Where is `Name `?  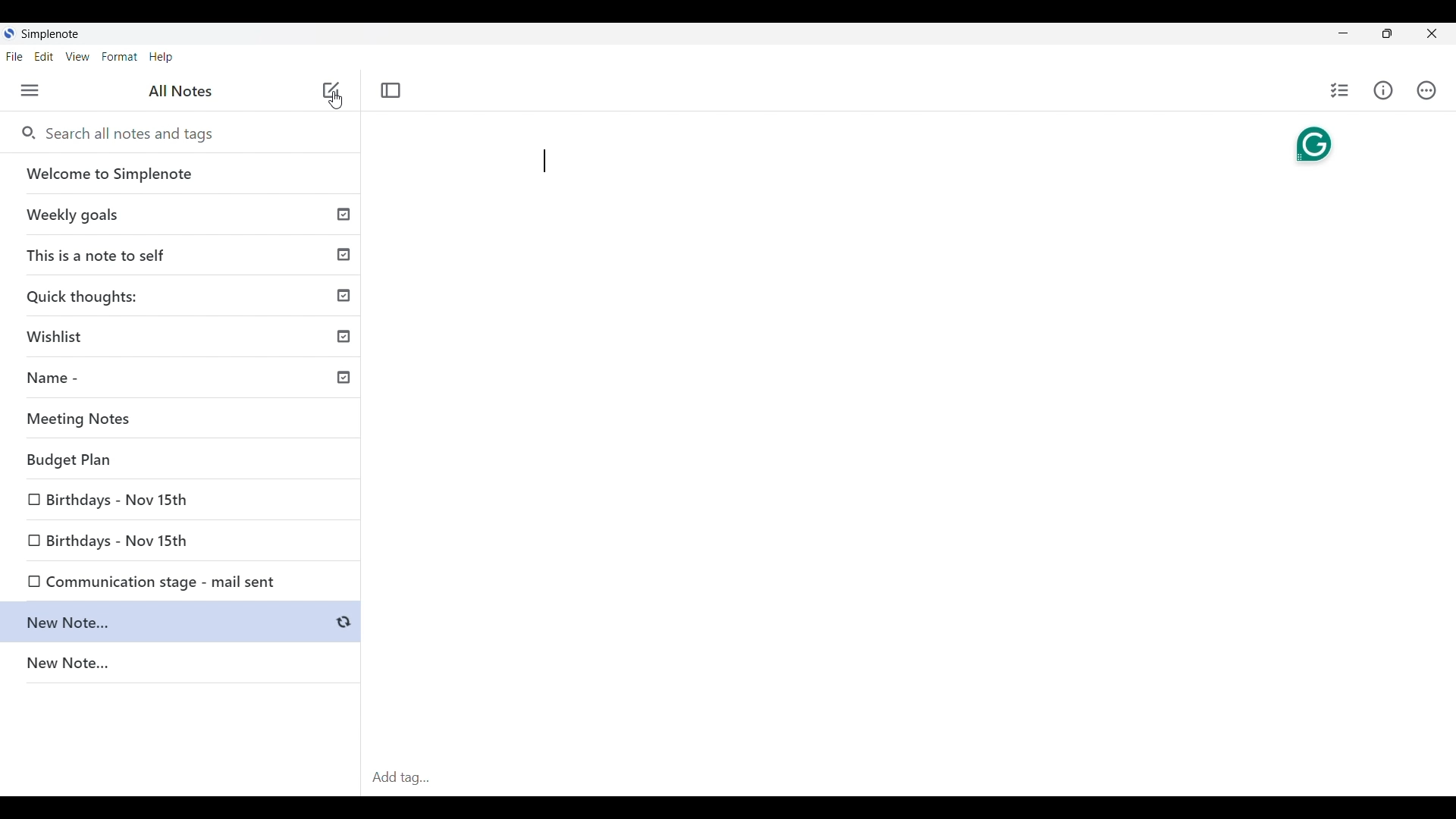 Name  is located at coordinates (187, 380).